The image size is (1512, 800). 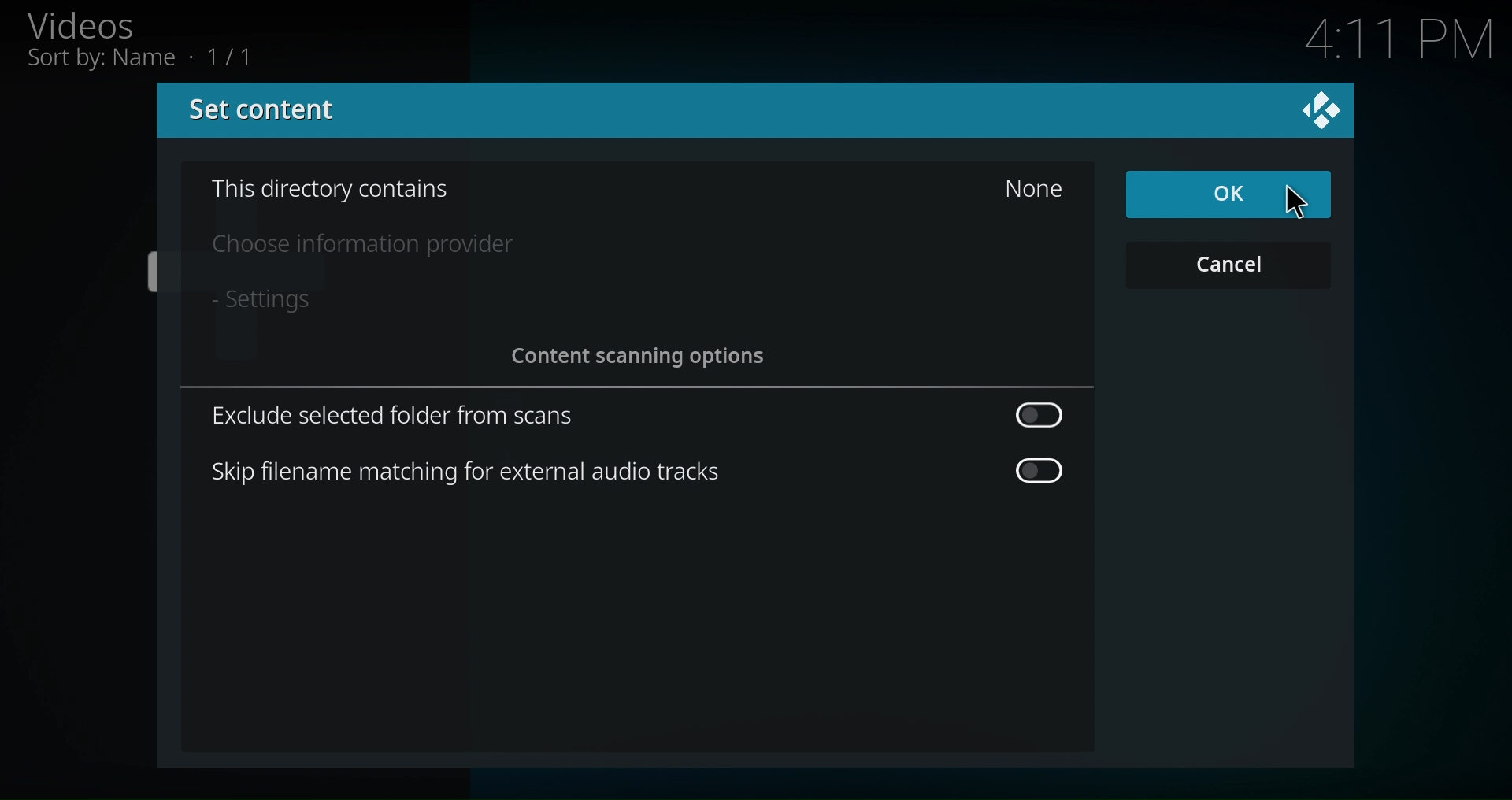 What do you see at coordinates (269, 106) in the screenshot?
I see `Set Content` at bounding box center [269, 106].